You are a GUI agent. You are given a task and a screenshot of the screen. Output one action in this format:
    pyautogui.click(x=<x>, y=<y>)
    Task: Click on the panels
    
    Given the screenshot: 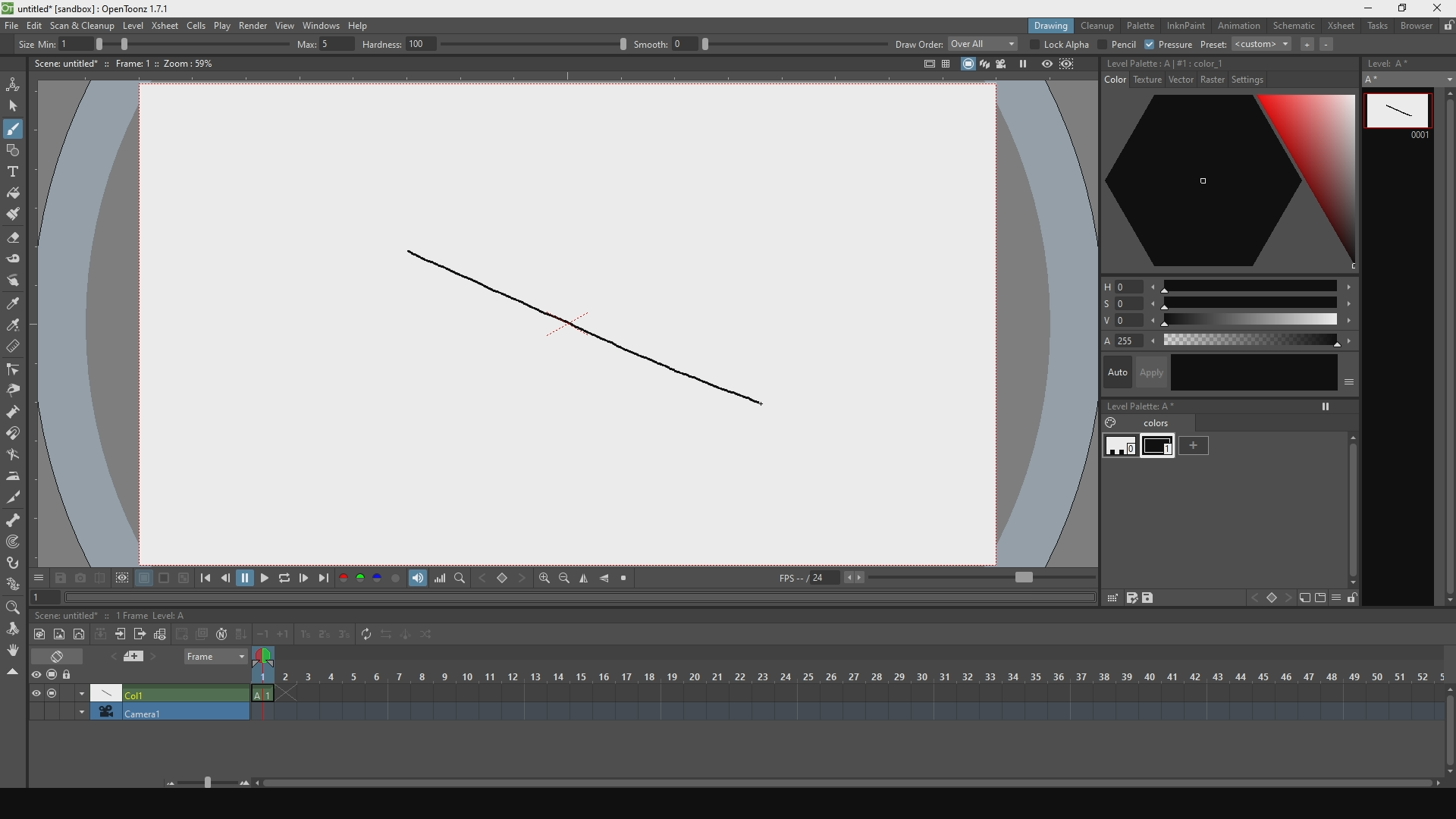 What is the action you would take?
    pyautogui.click(x=946, y=66)
    